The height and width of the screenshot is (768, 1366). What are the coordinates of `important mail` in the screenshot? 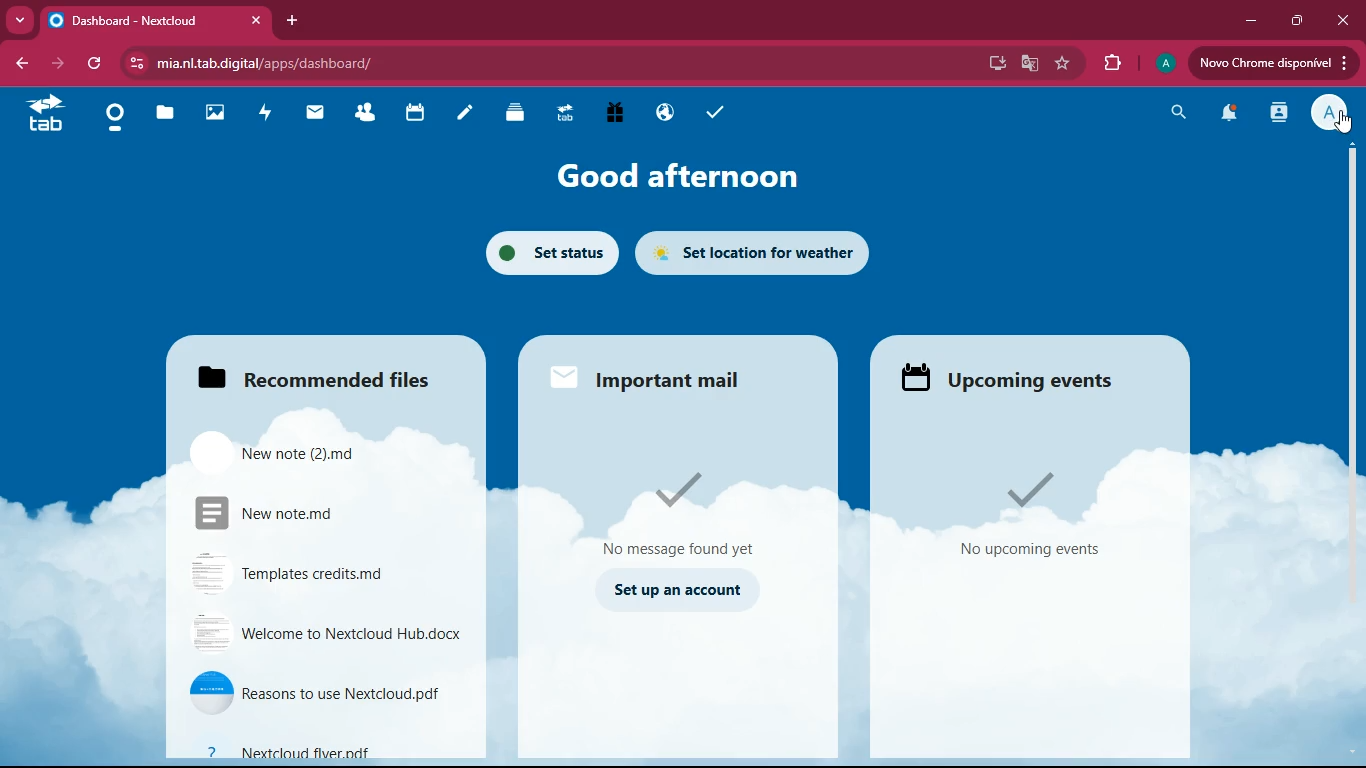 It's located at (659, 377).